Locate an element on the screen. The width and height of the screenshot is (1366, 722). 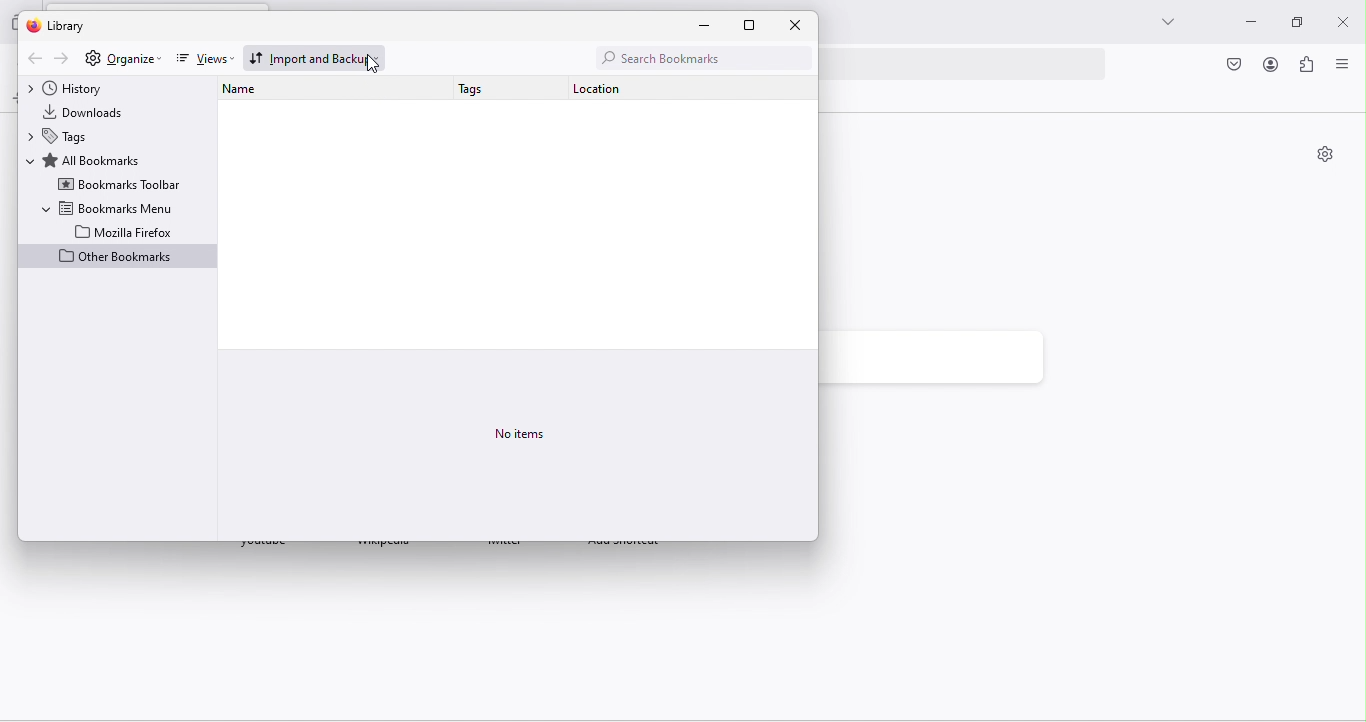
all bookmarks is located at coordinates (92, 160).